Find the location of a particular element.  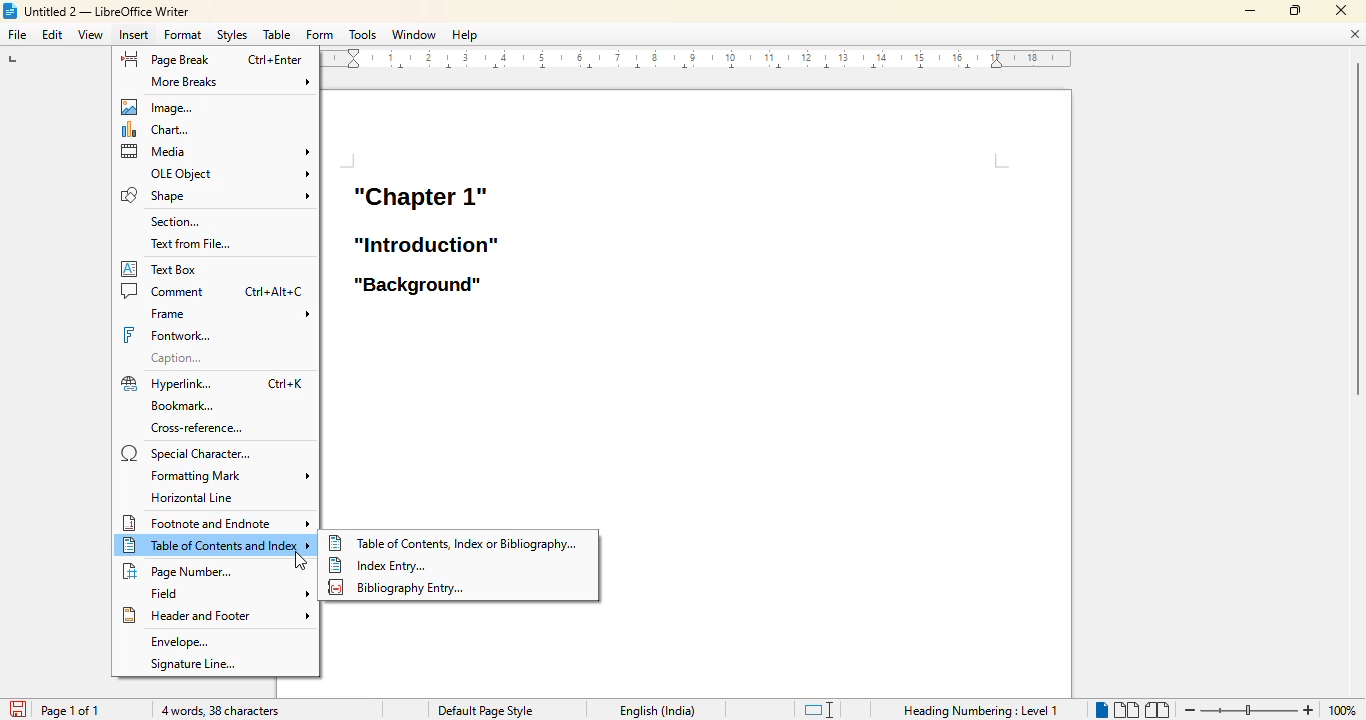

form is located at coordinates (320, 35).